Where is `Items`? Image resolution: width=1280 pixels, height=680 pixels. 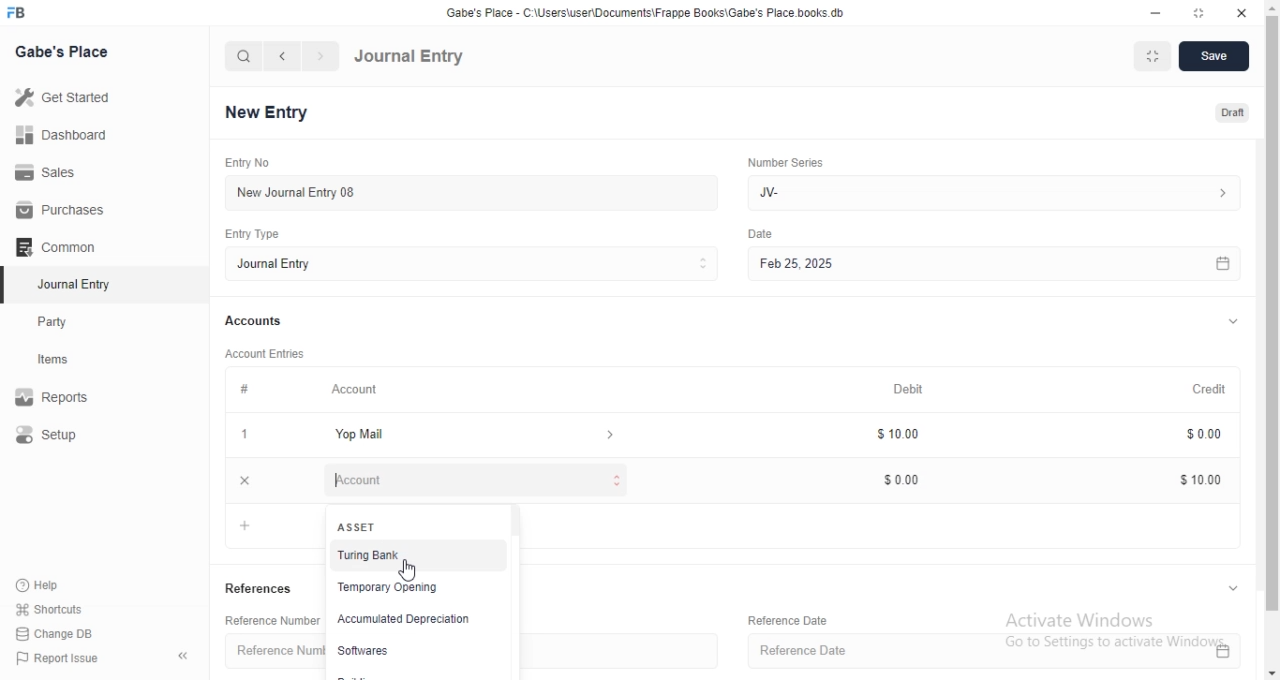
Items is located at coordinates (72, 361).